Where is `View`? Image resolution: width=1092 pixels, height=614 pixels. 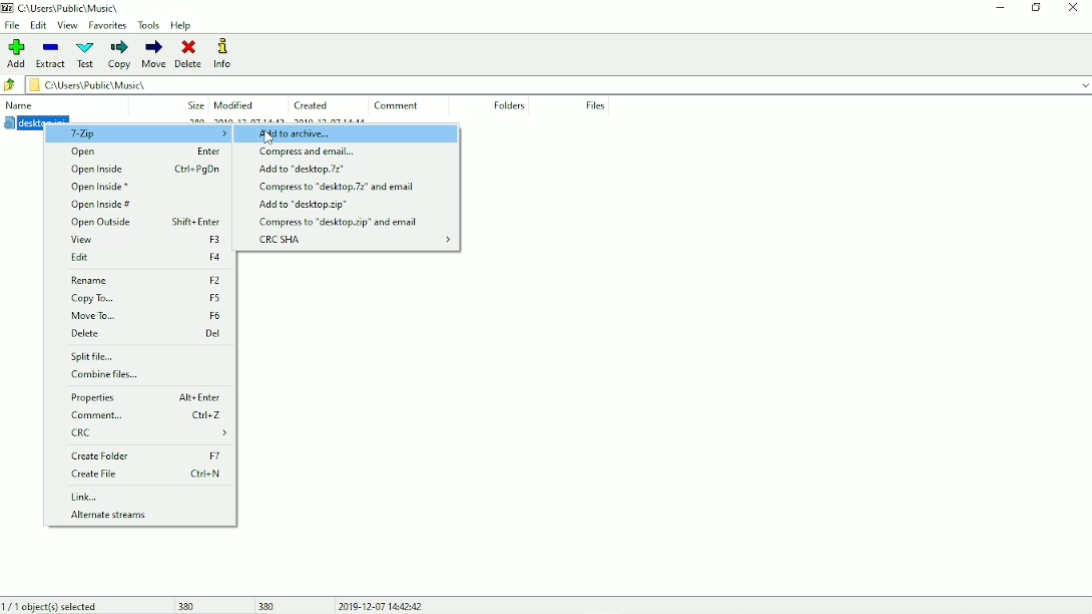
View is located at coordinates (68, 25).